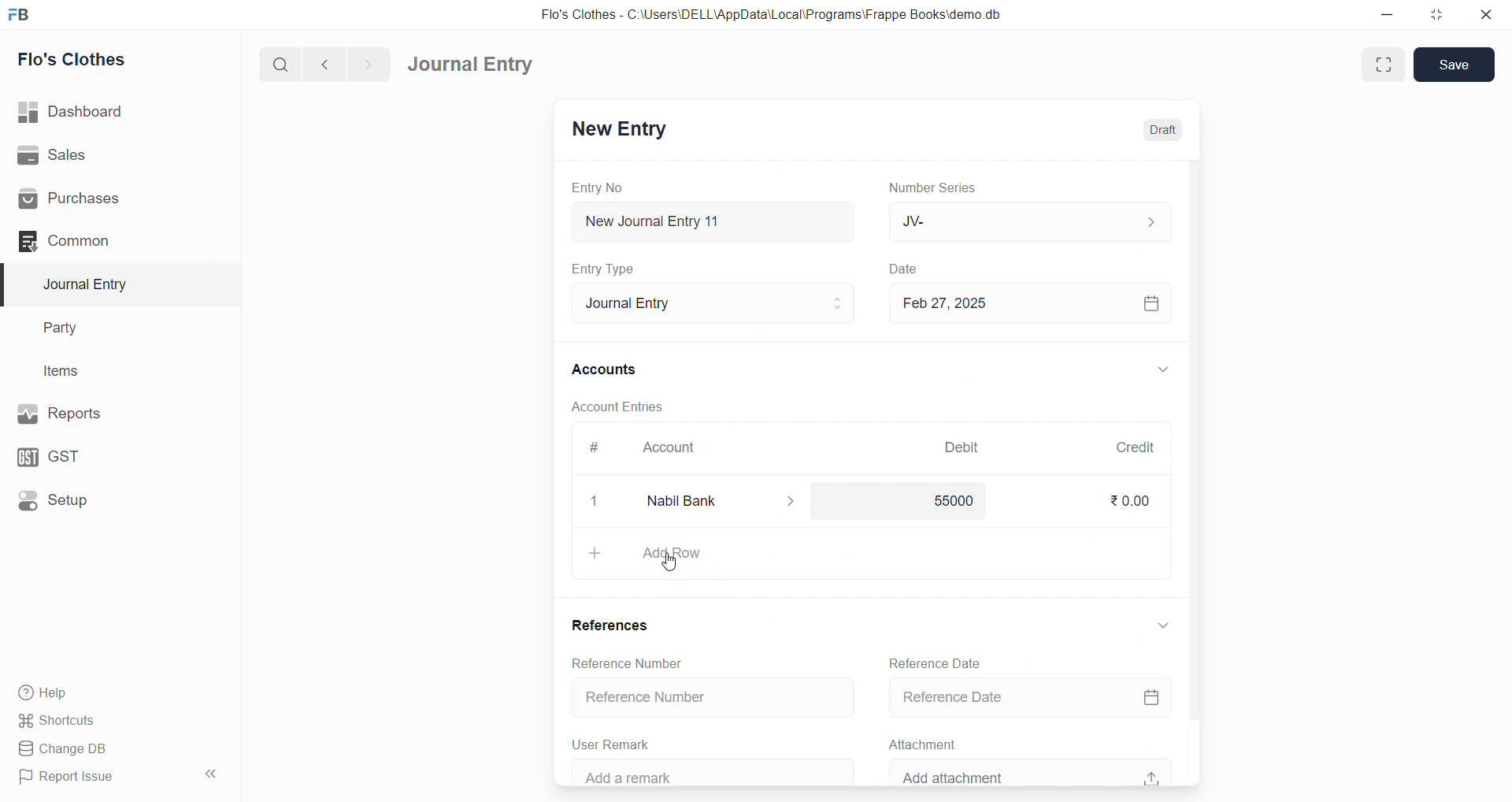 This screenshot has height=802, width=1512. I want to click on Attachment, so click(917, 743).